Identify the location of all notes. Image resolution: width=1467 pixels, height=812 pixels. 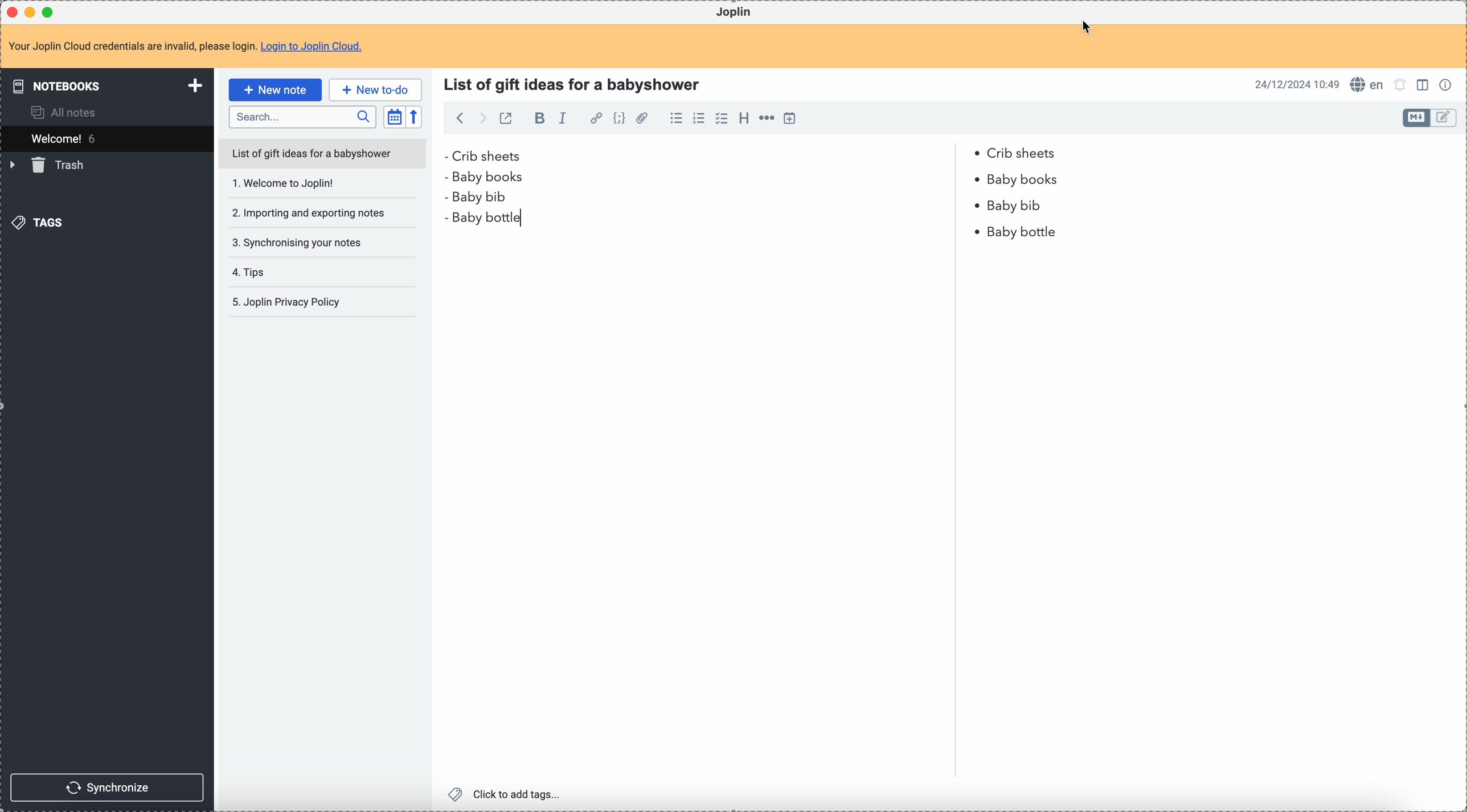
(65, 112).